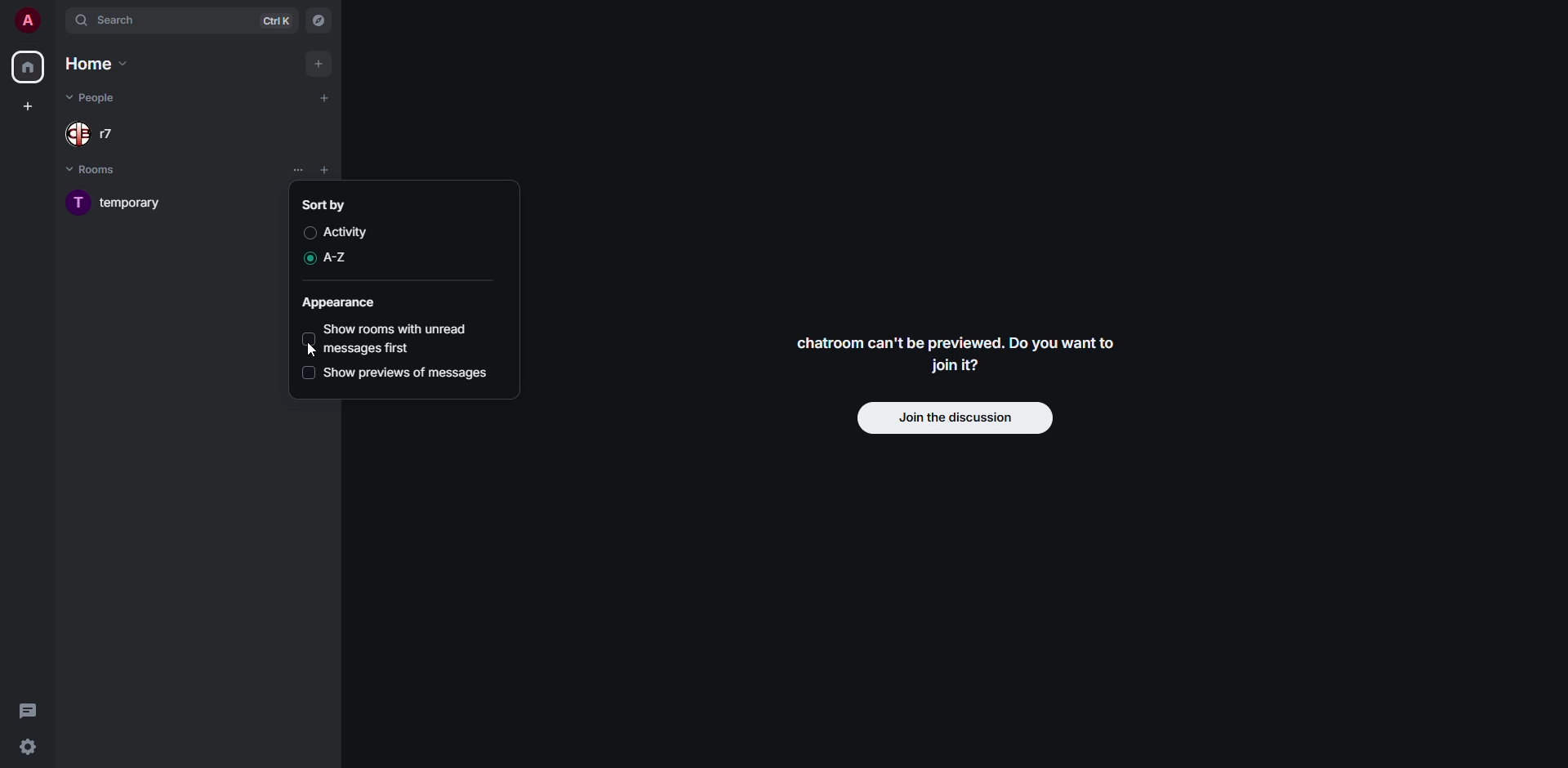 The image size is (1568, 768). I want to click on join discussion, so click(955, 417).